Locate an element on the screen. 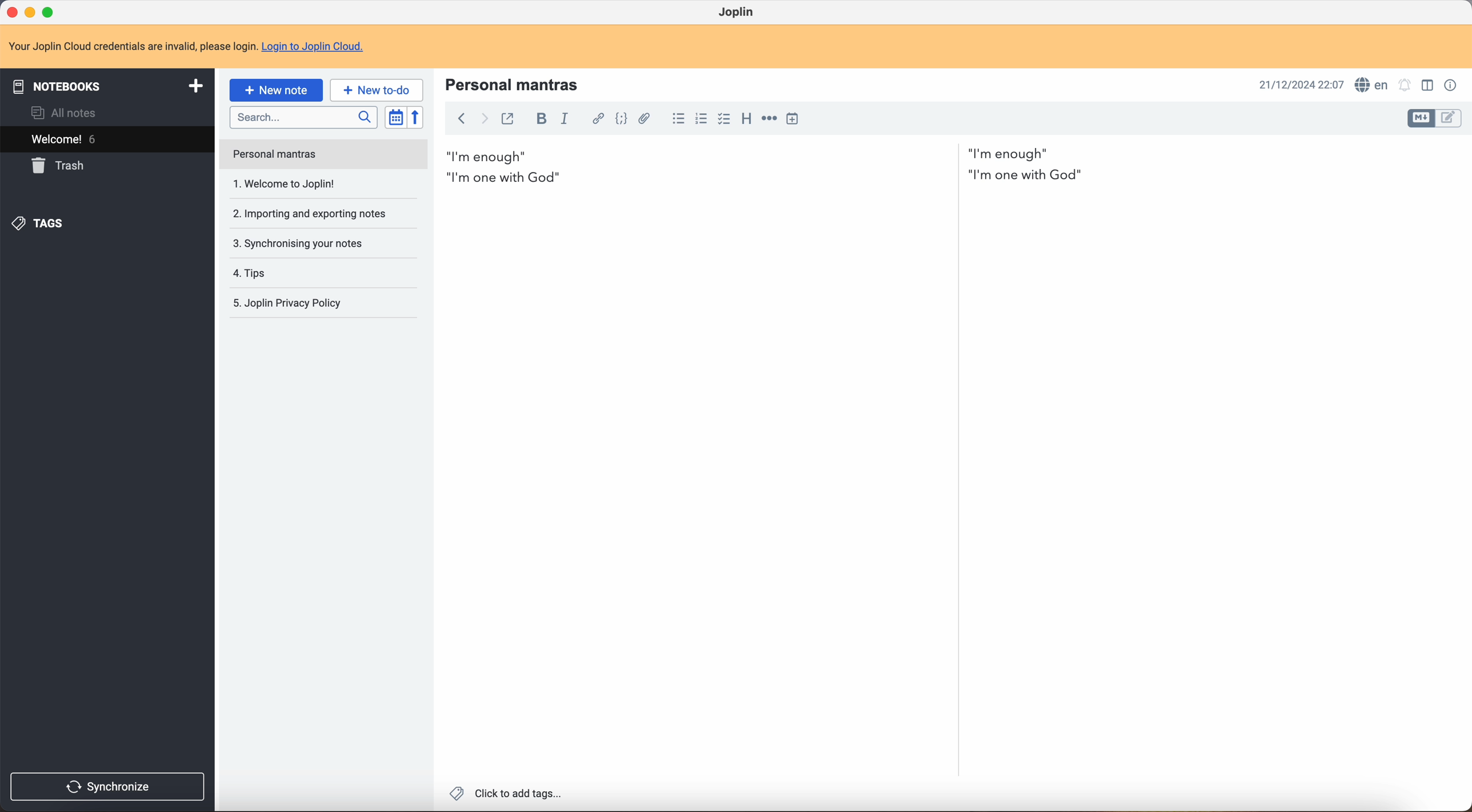 The width and height of the screenshot is (1472, 812). I'm enough  is located at coordinates (750, 153).